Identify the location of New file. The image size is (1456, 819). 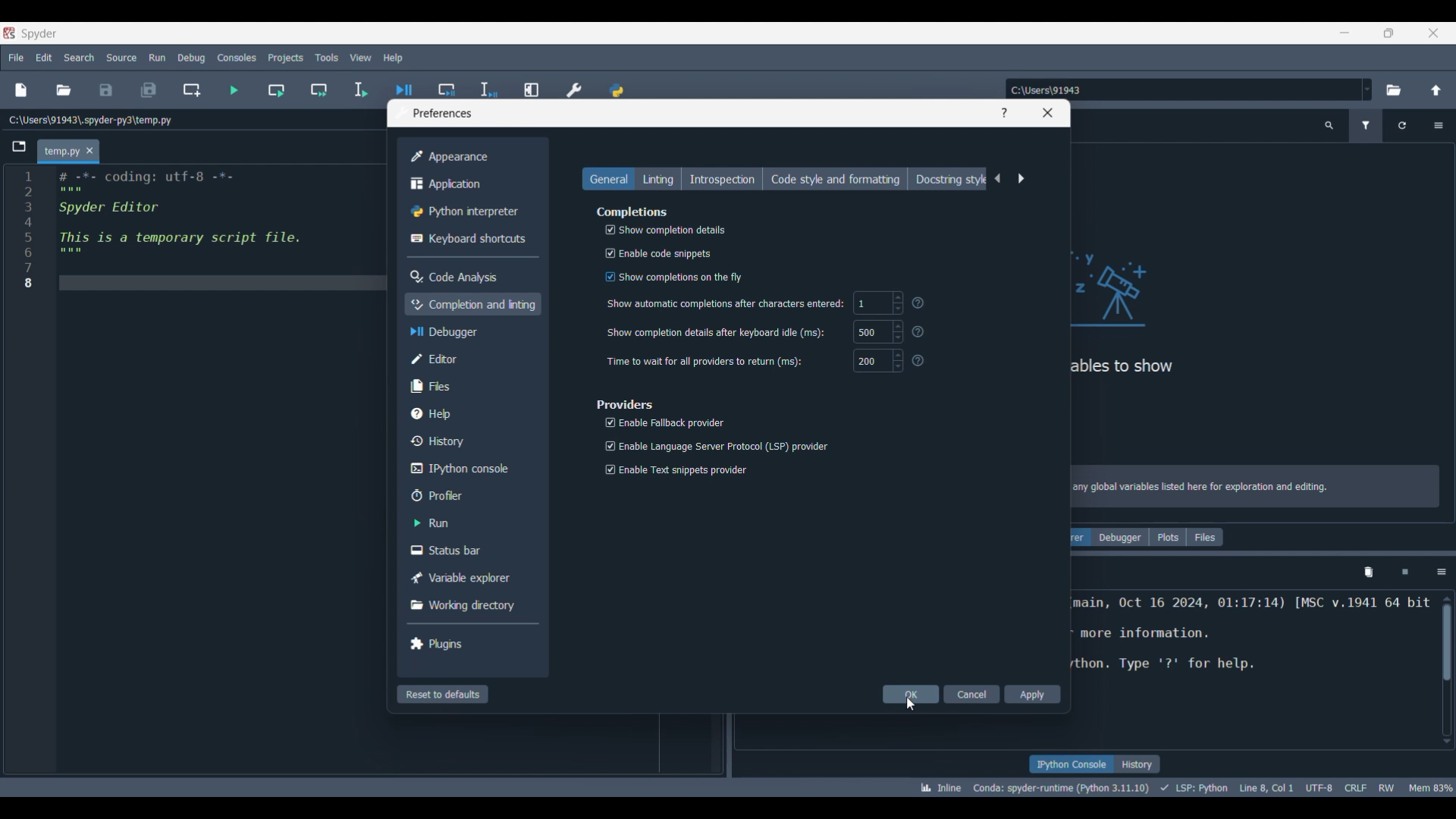
(20, 90).